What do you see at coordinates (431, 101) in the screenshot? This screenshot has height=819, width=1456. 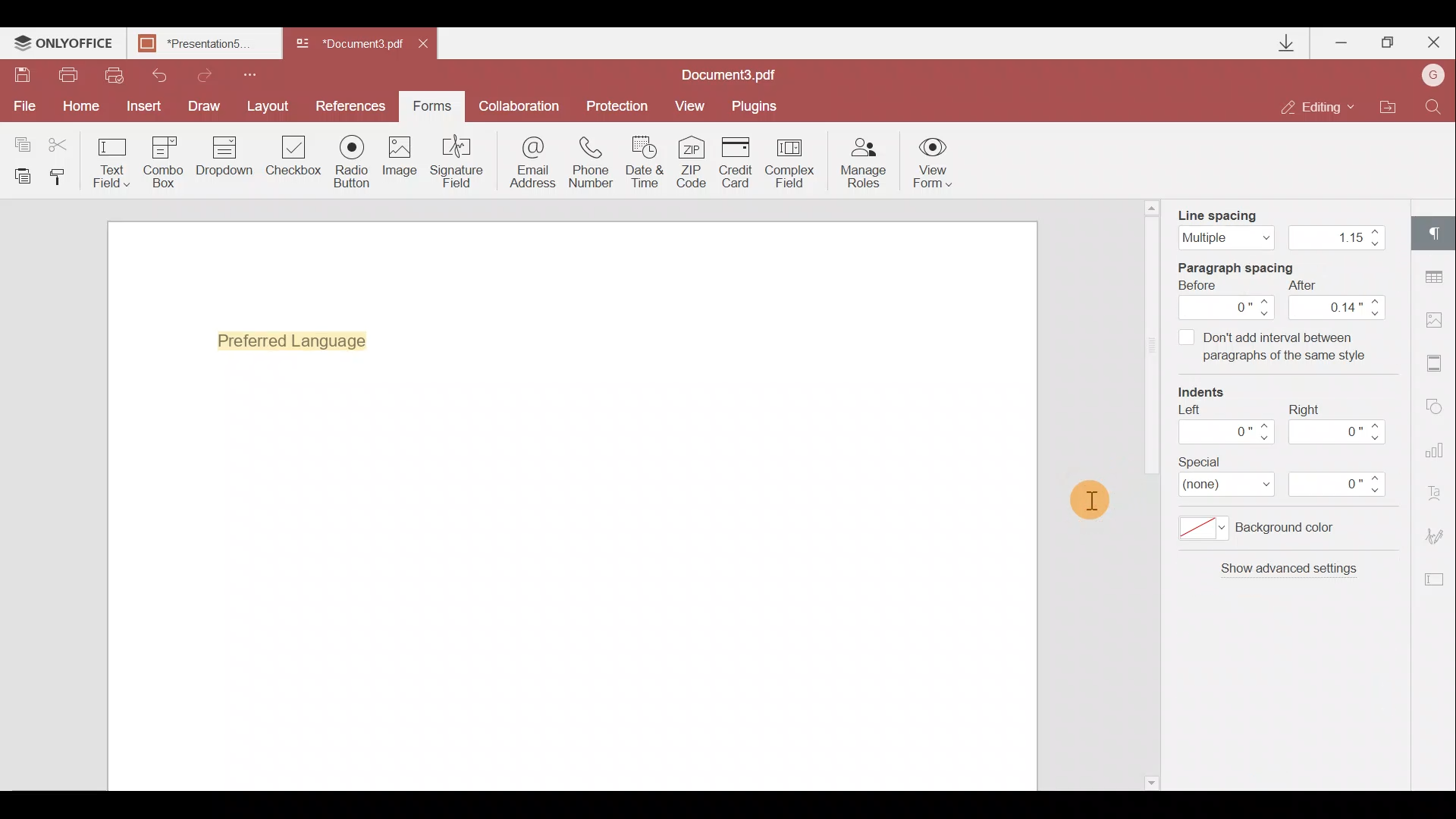 I see `Forms` at bounding box center [431, 101].